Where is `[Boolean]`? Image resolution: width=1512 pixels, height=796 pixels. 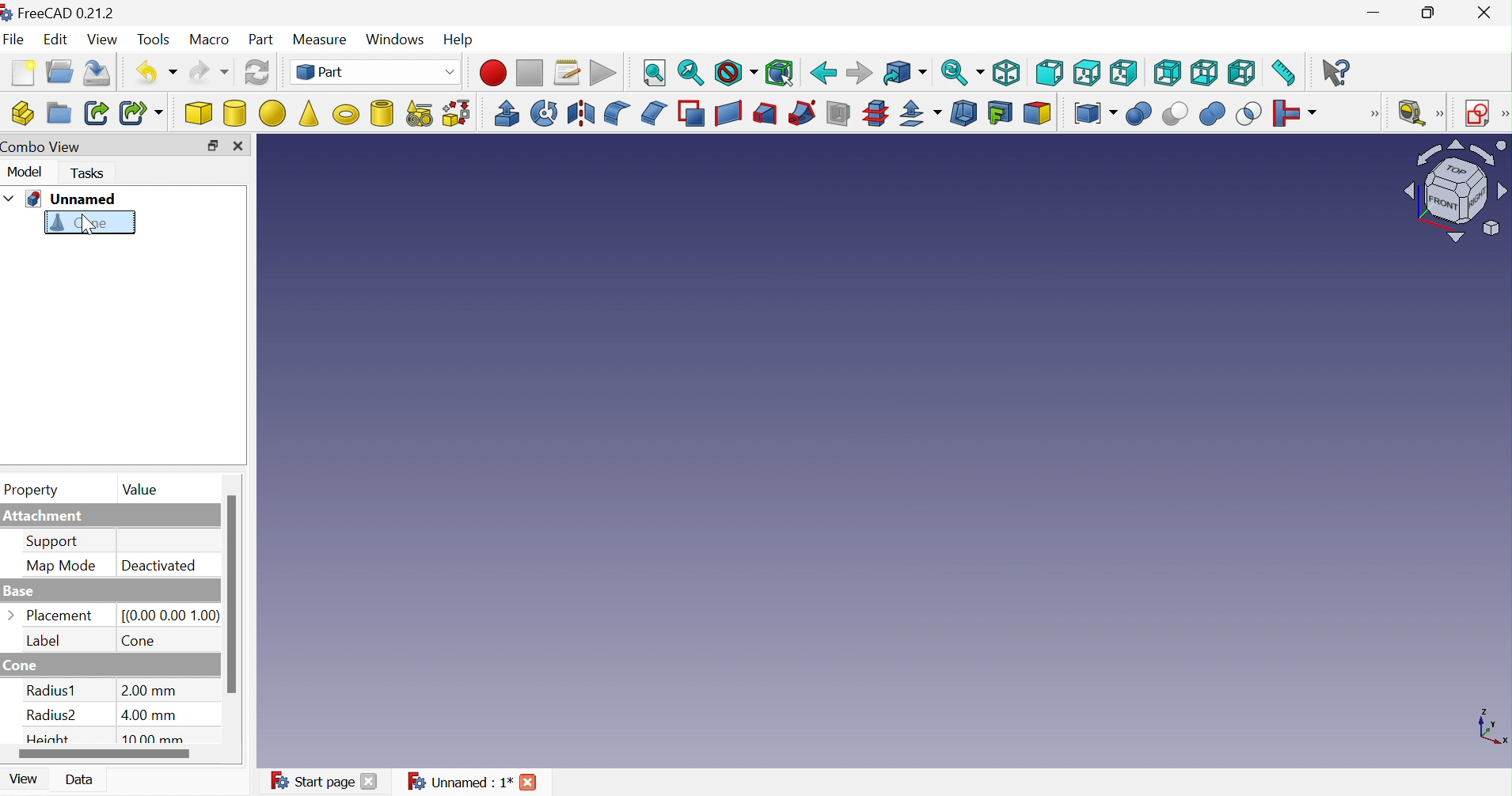
[Boolean] is located at coordinates (1378, 118).